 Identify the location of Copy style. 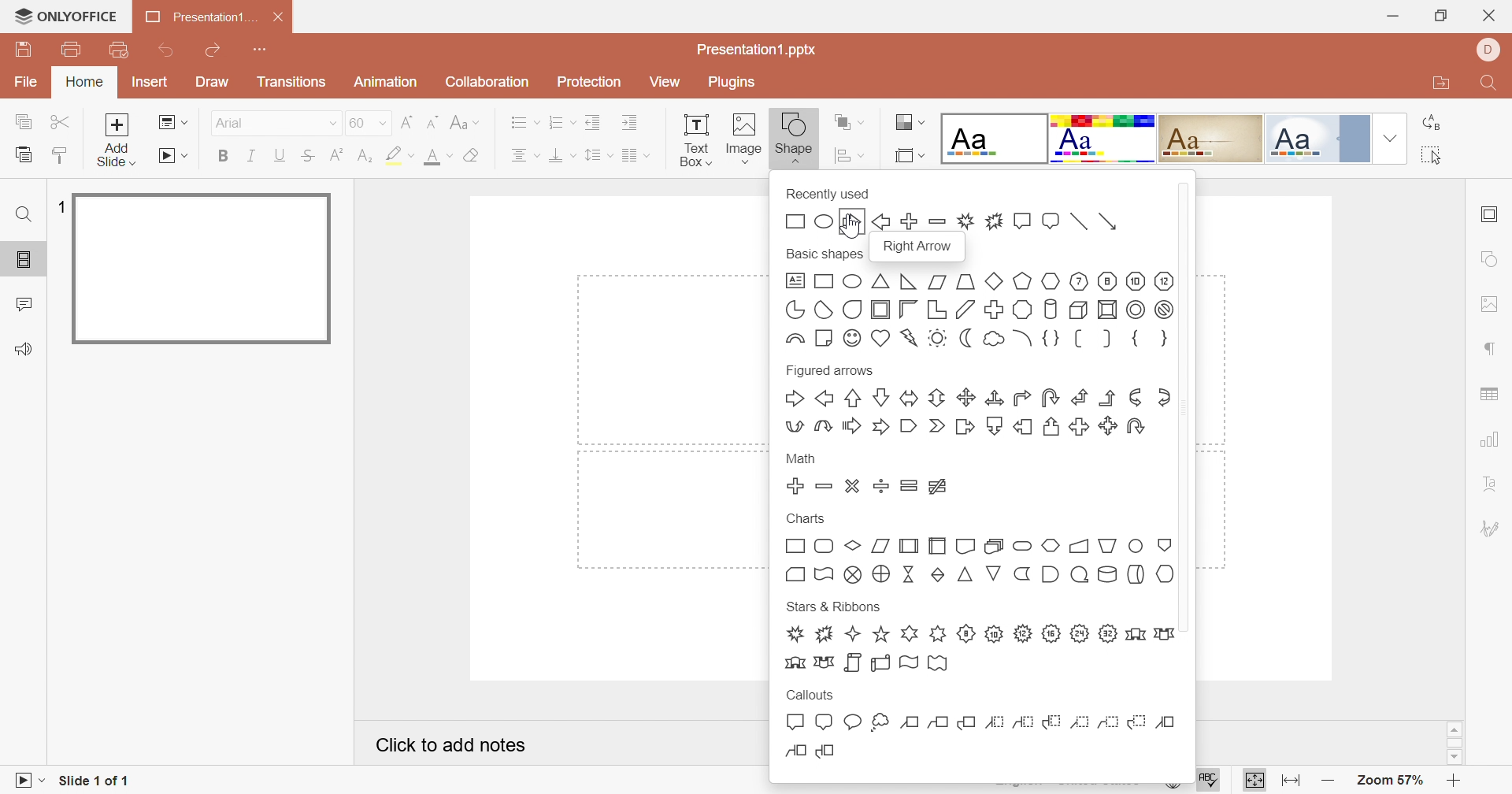
(60, 158).